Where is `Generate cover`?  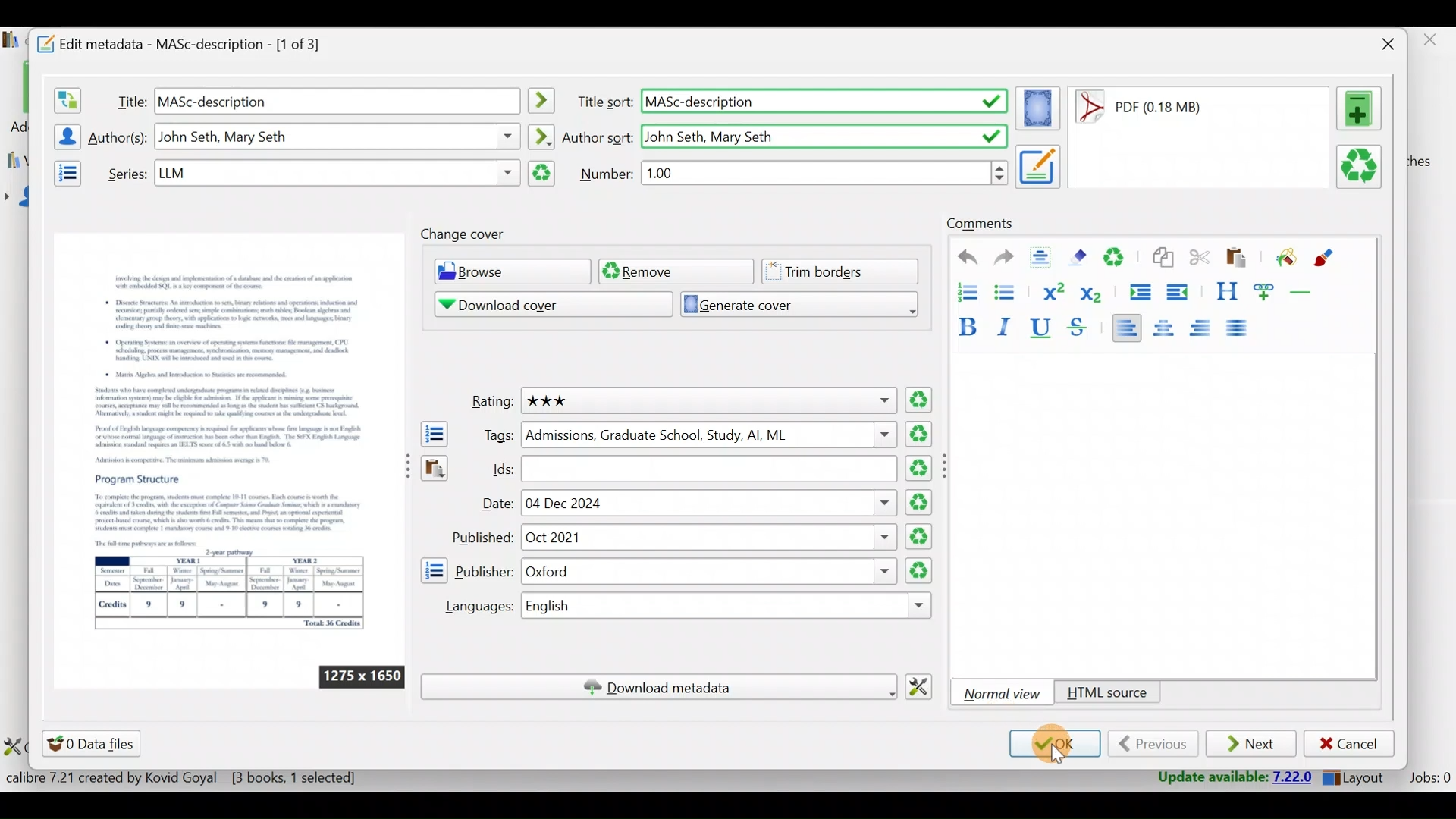 Generate cover is located at coordinates (793, 303).